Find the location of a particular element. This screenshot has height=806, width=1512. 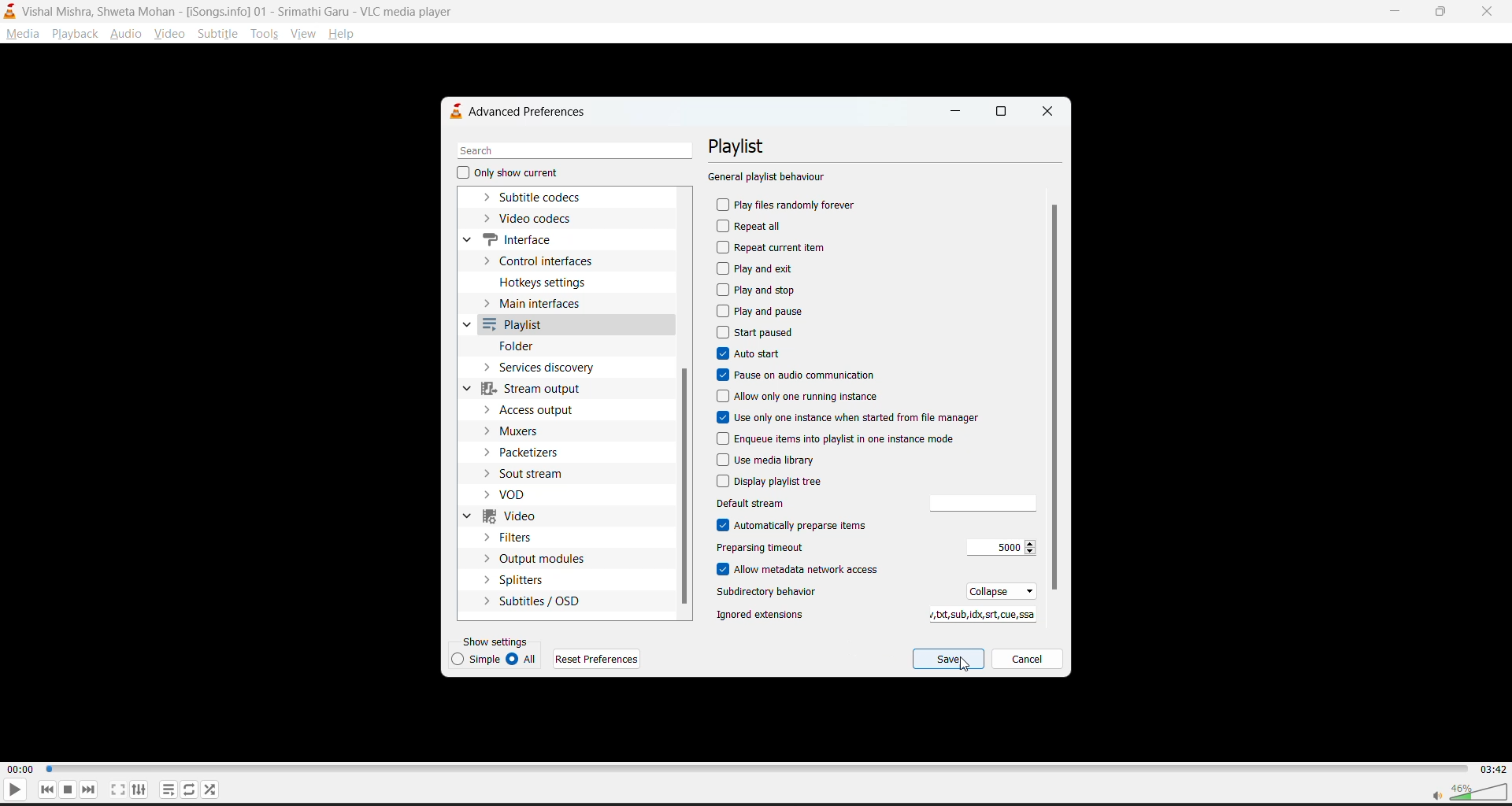

03:42 is located at coordinates (1490, 767).